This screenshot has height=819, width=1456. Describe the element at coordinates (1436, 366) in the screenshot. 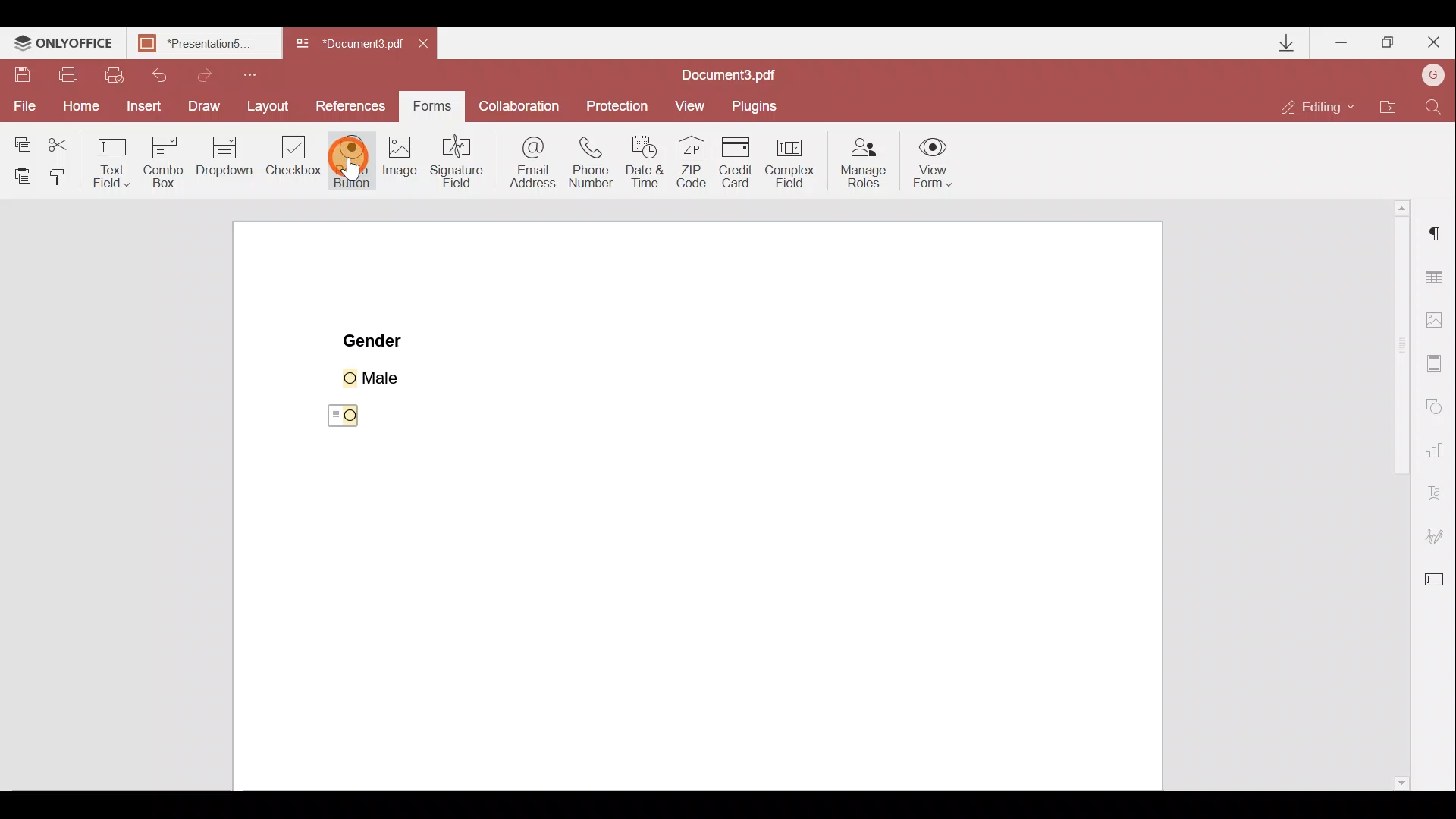

I see `Headers & footers settings` at that location.